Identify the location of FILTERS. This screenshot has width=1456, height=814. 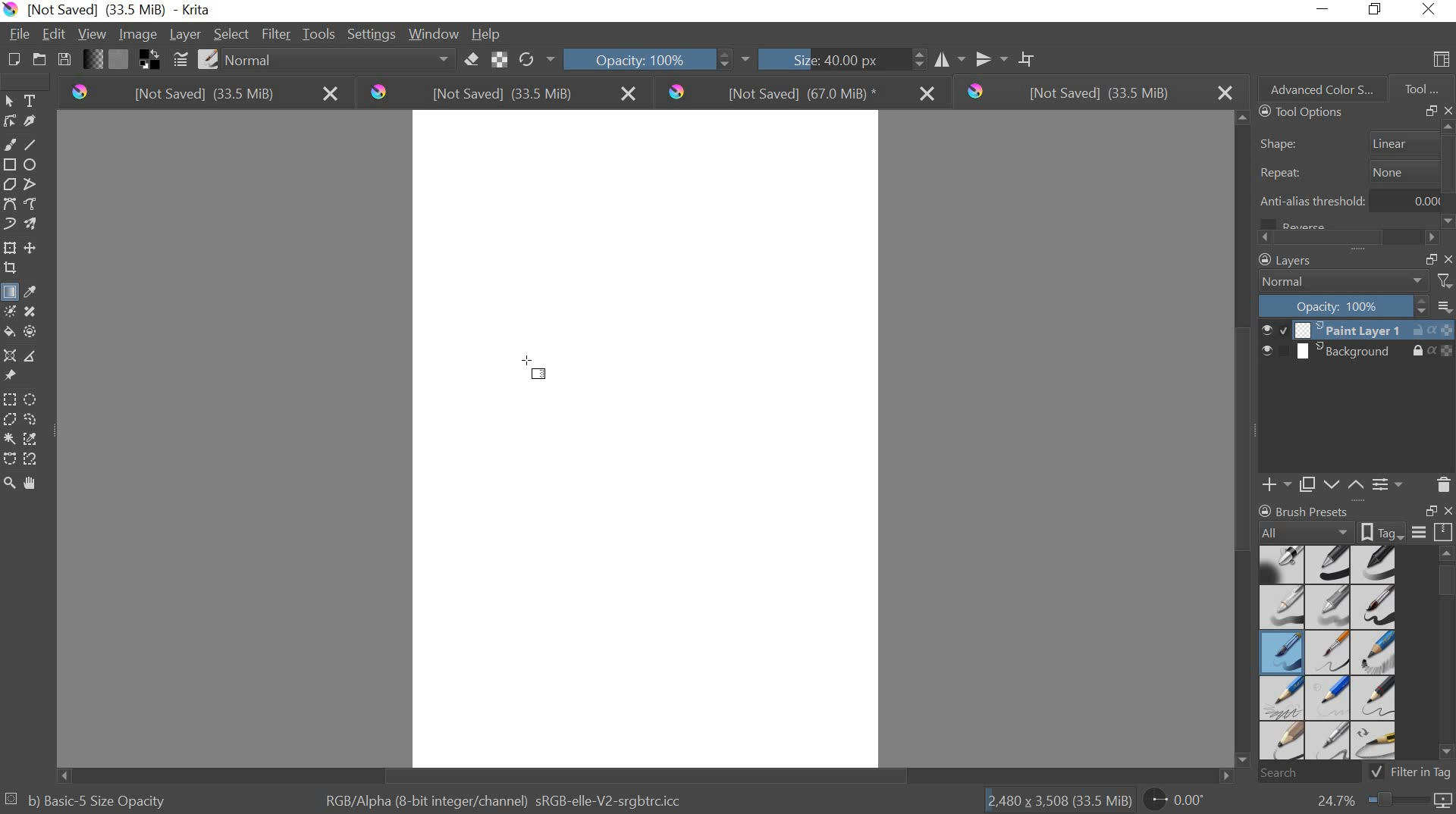
(1444, 280).